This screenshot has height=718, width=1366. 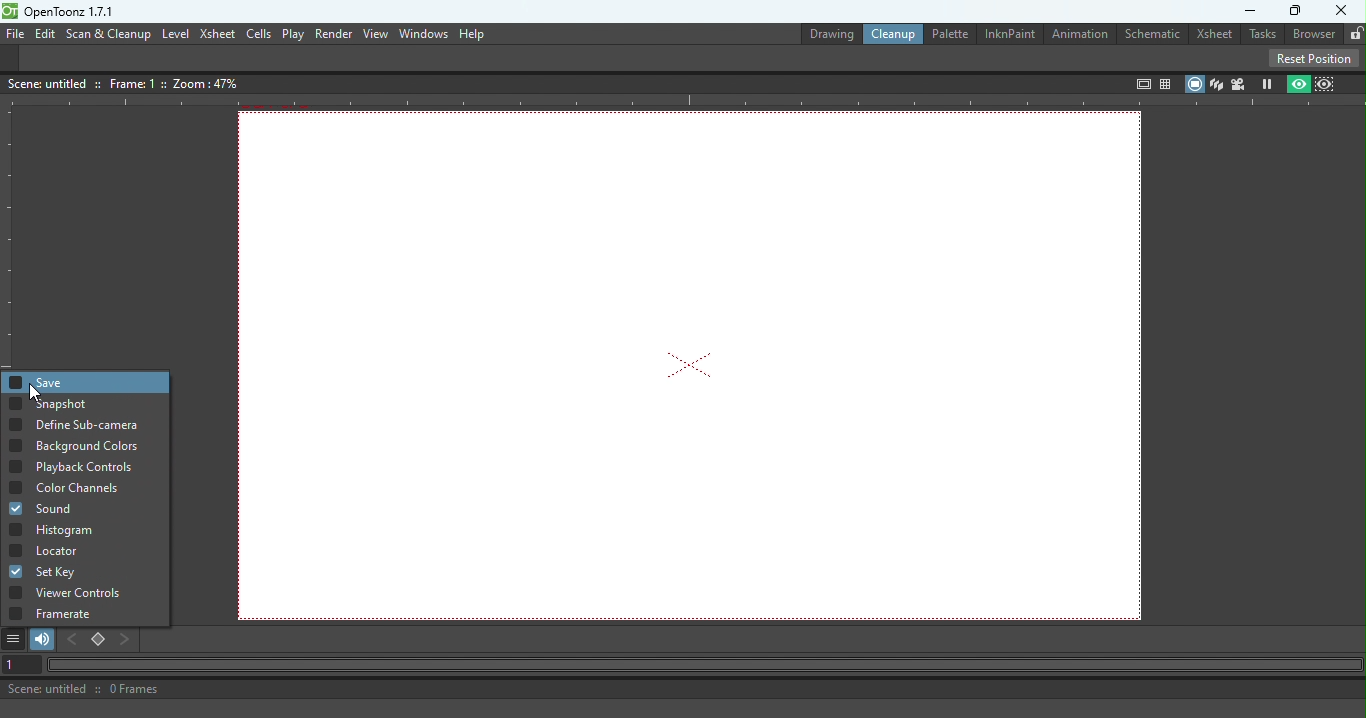 What do you see at coordinates (683, 102) in the screenshot?
I see `Horizontal ruler` at bounding box center [683, 102].